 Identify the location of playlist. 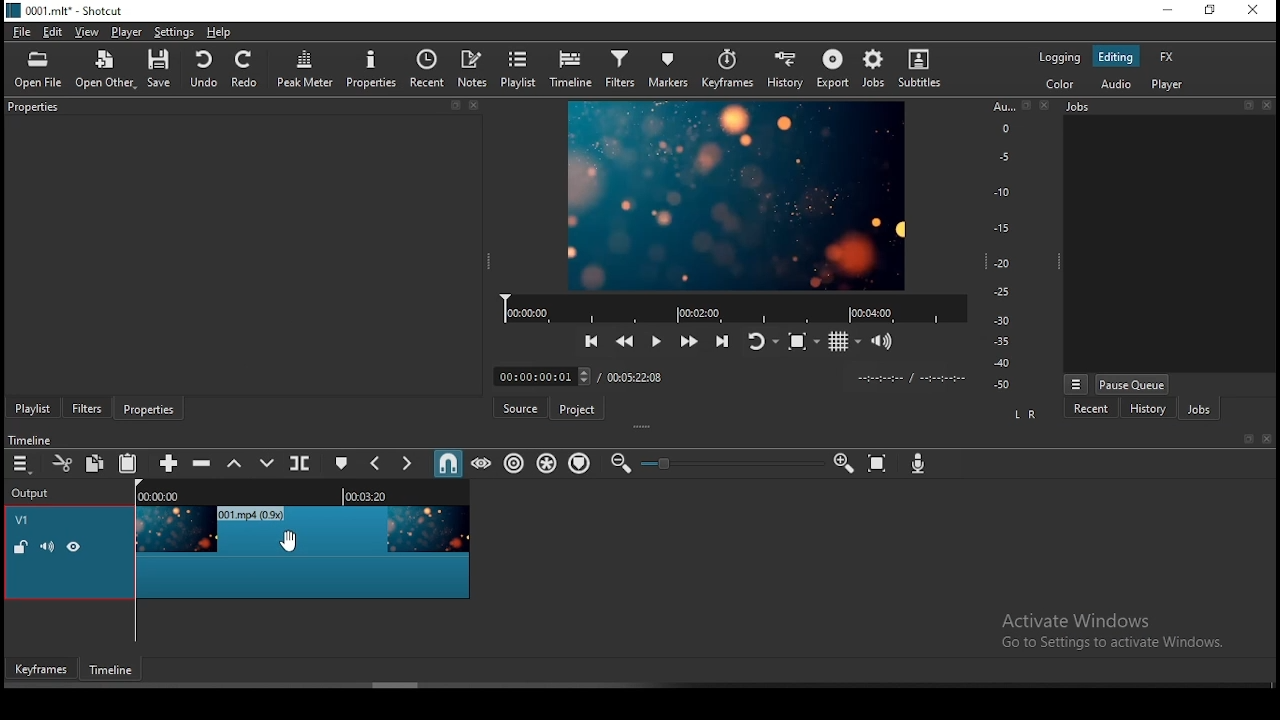
(34, 407).